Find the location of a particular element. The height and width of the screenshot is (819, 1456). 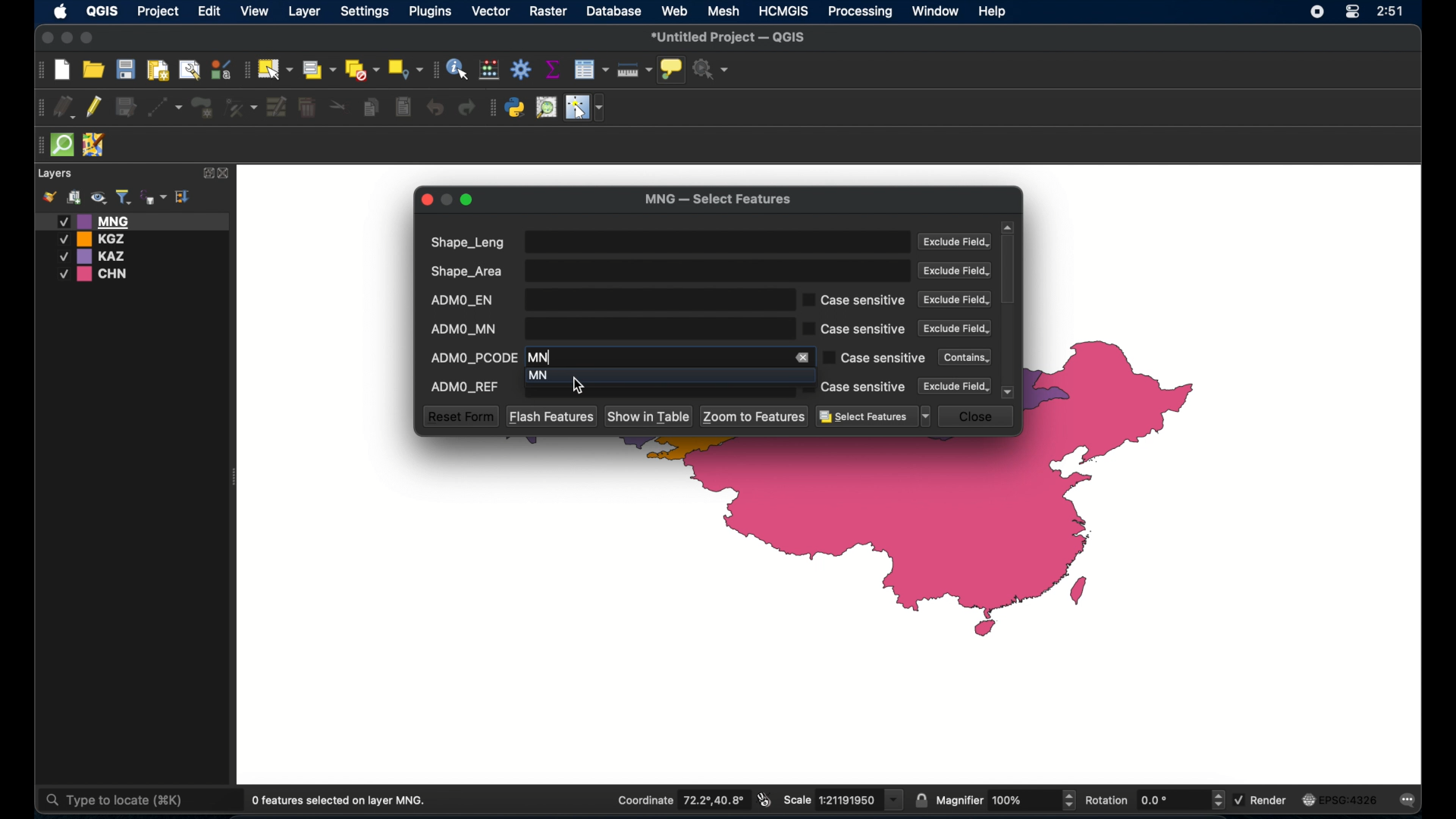

copy is located at coordinates (373, 107).